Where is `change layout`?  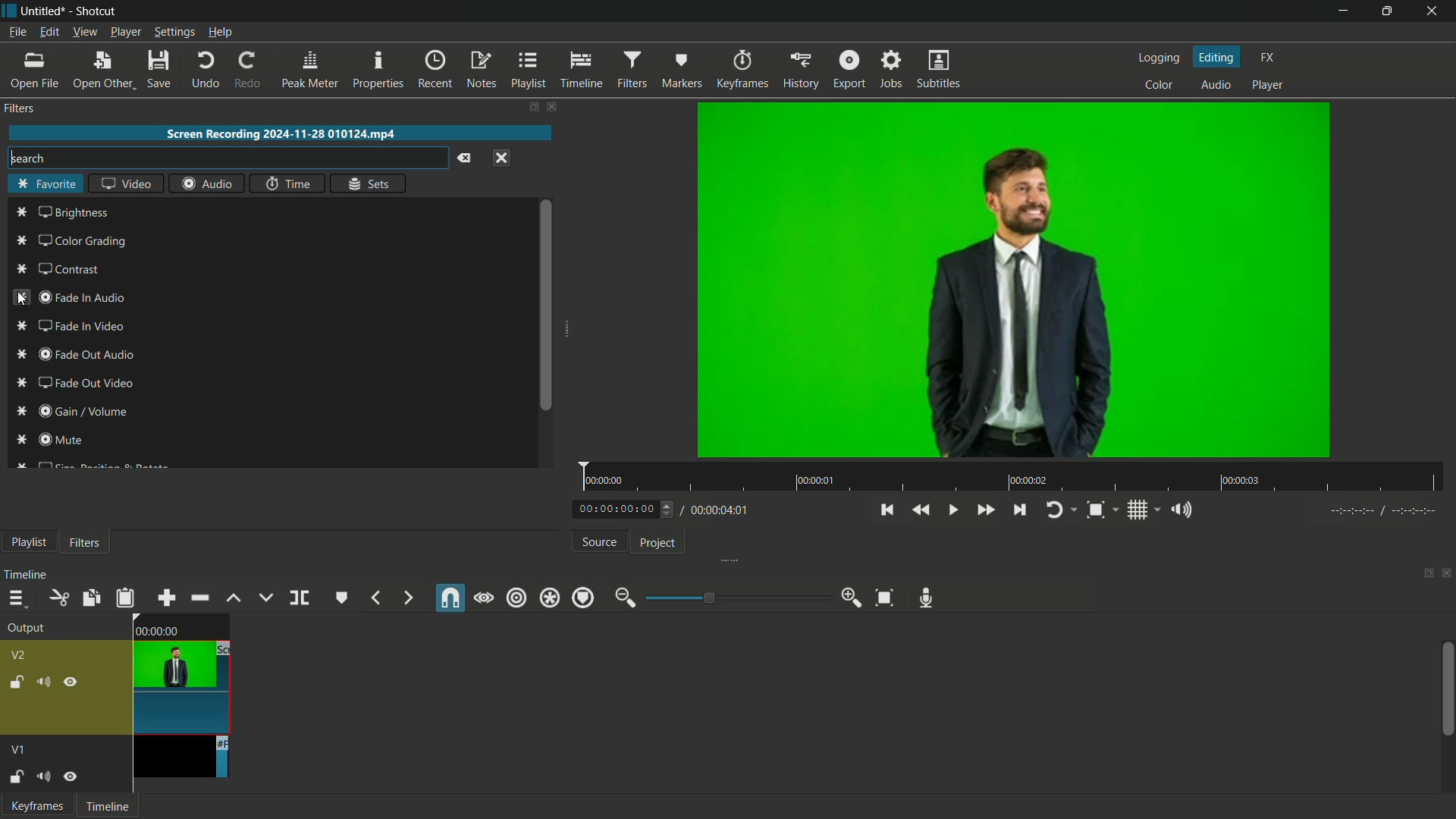
change layout is located at coordinates (532, 106).